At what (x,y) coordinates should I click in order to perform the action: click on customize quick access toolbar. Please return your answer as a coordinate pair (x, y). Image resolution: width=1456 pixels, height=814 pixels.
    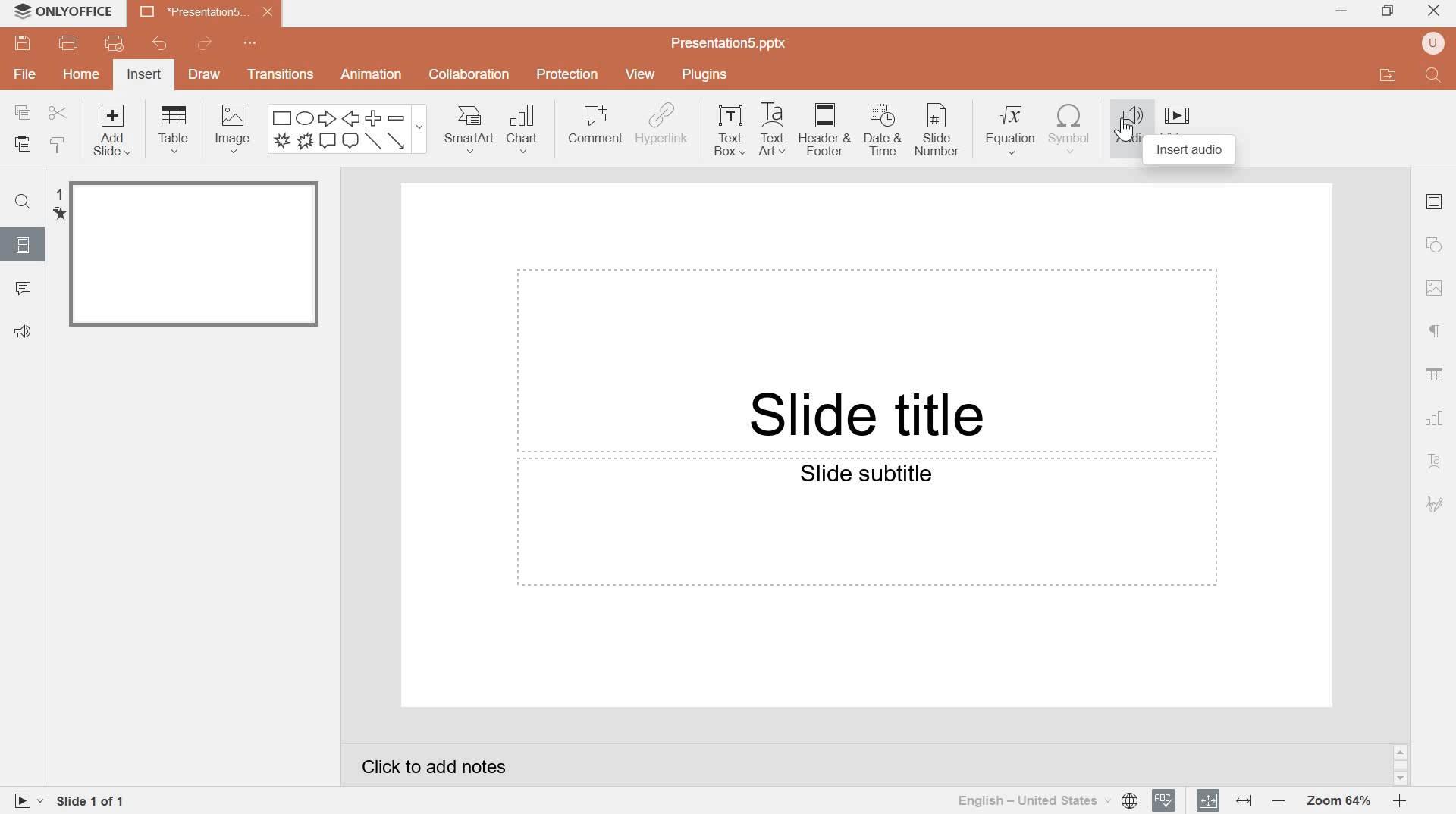
    Looking at the image, I should click on (253, 42).